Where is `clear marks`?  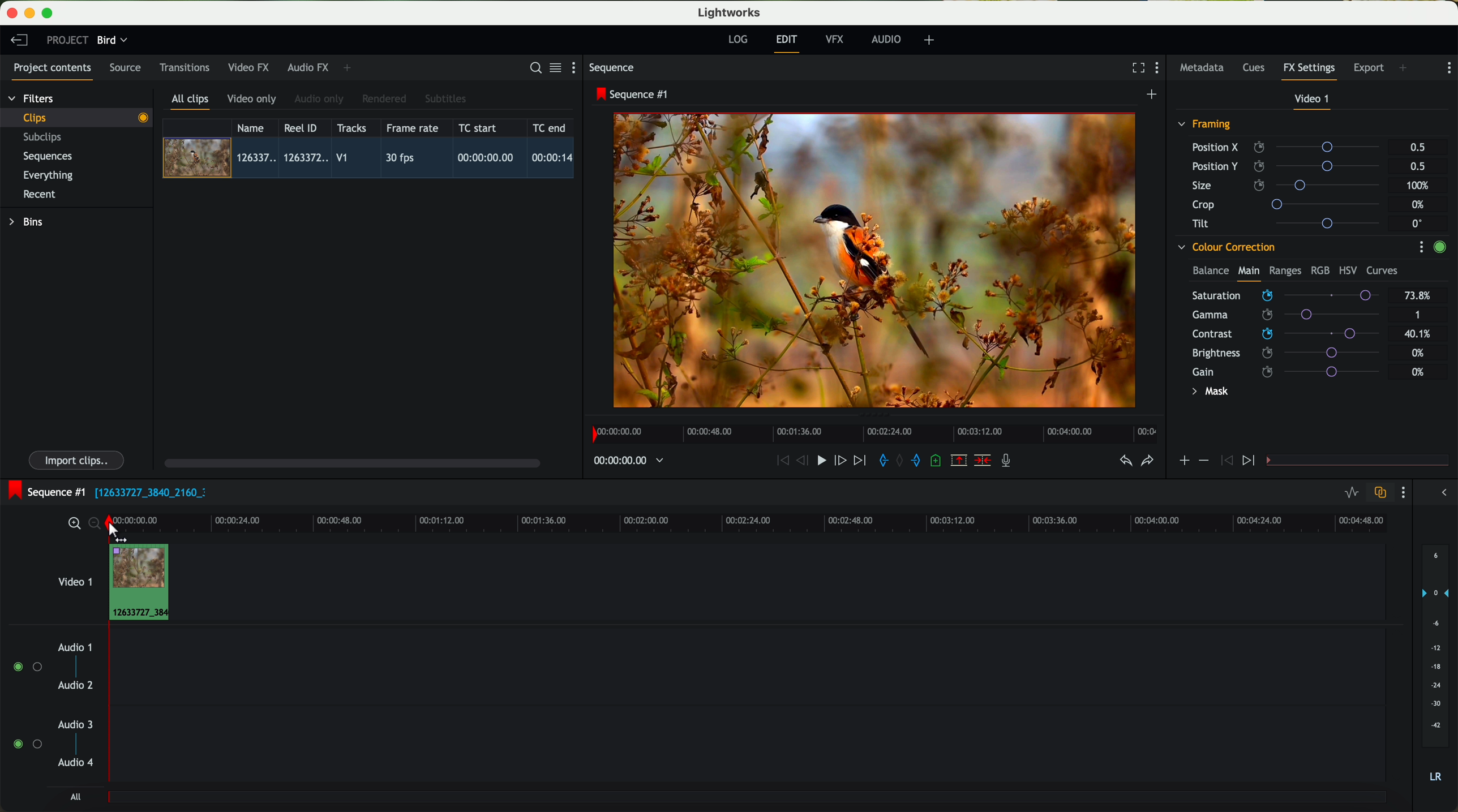 clear marks is located at coordinates (900, 461).